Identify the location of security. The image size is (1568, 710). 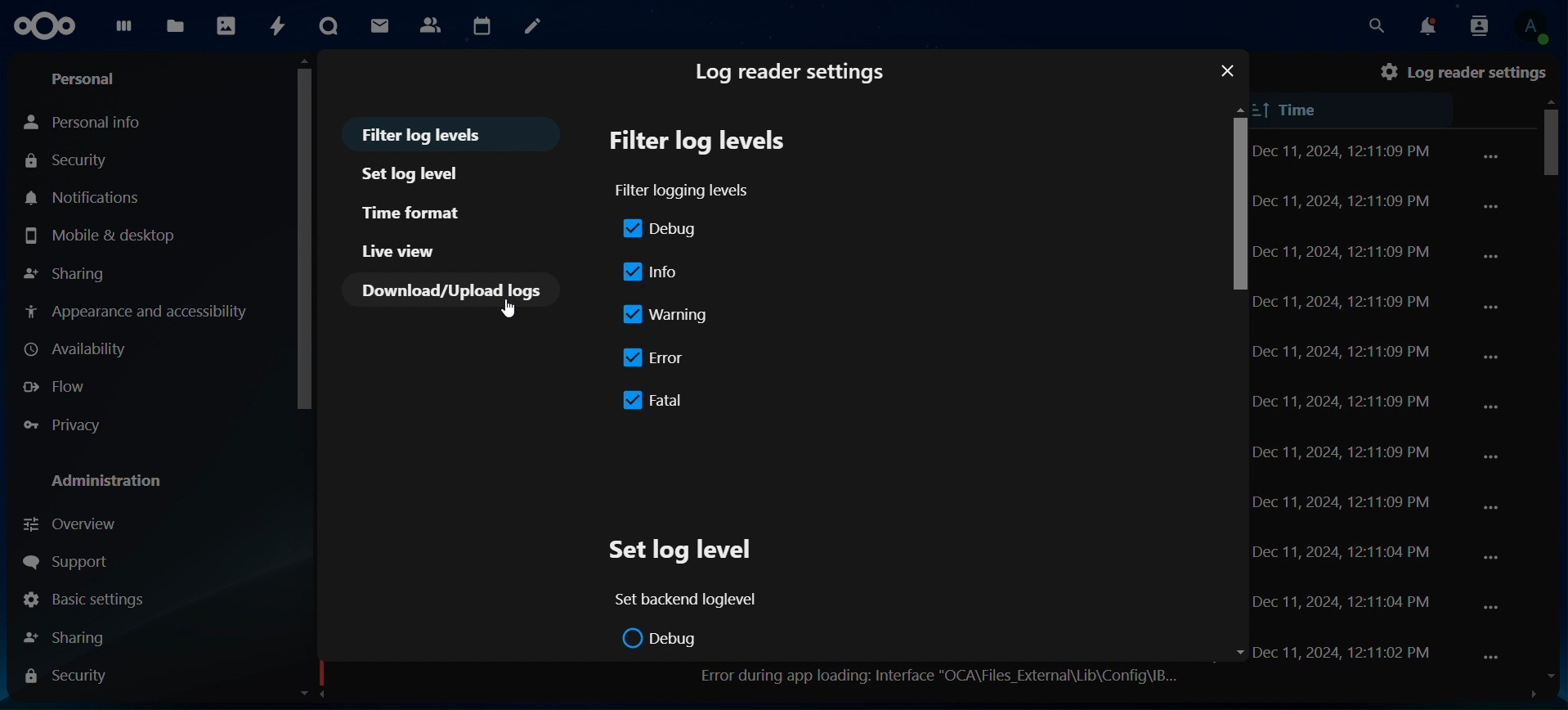
(65, 679).